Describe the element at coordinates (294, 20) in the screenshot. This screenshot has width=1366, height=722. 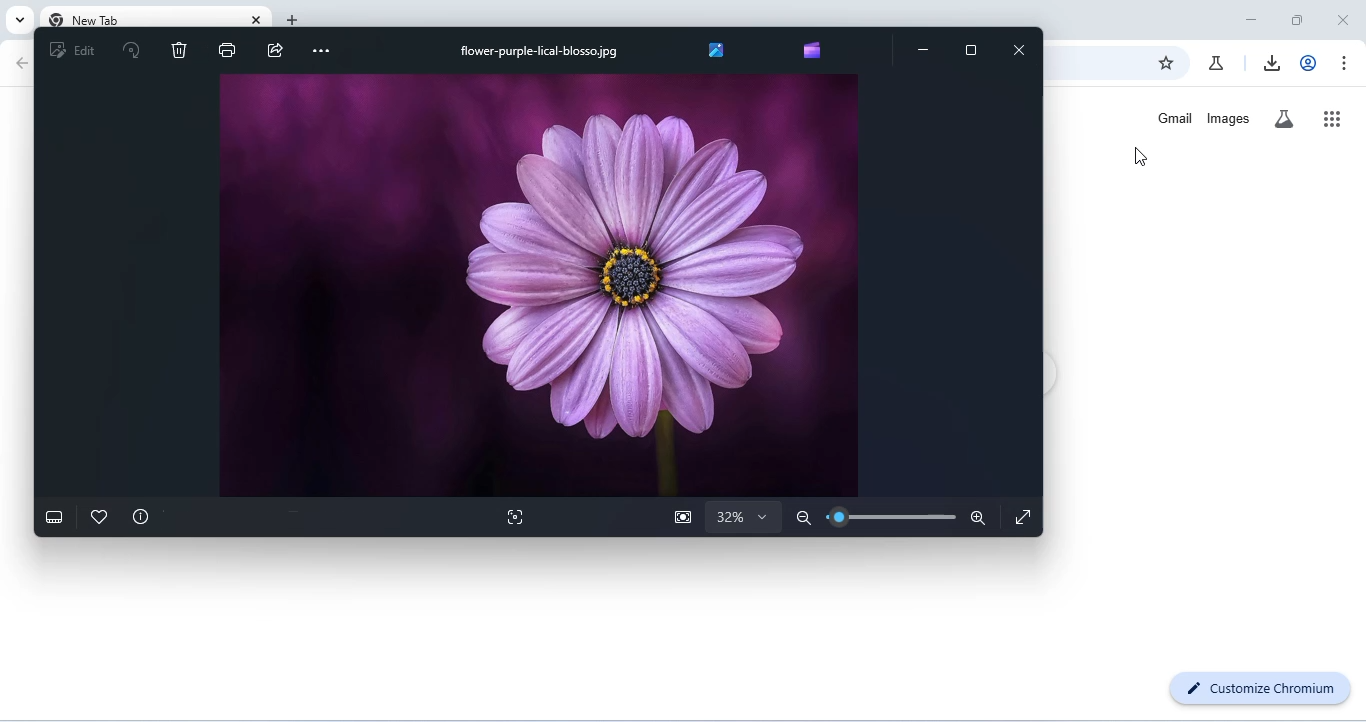
I see `add new tab` at that location.